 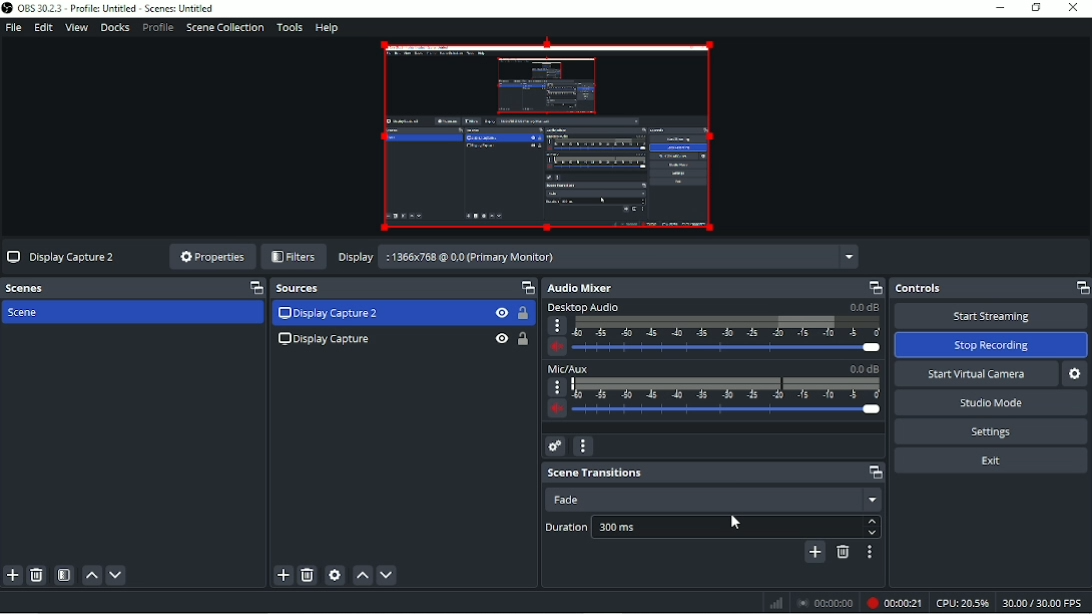 I want to click on Docks, so click(x=114, y=28).